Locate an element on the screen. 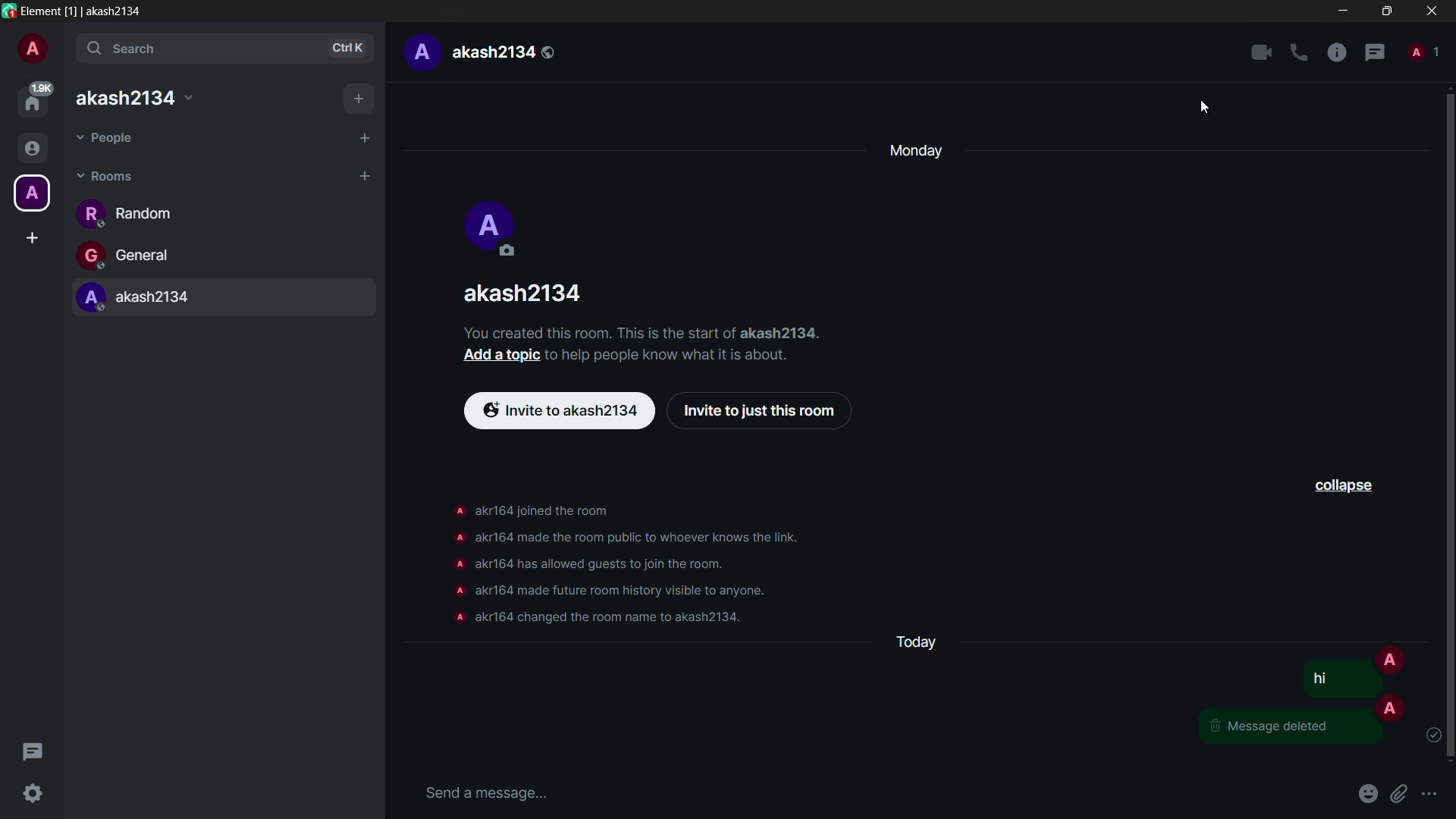 The height and width of the screenshot is (819, 1456). Random is located at coordinates (152, 215).